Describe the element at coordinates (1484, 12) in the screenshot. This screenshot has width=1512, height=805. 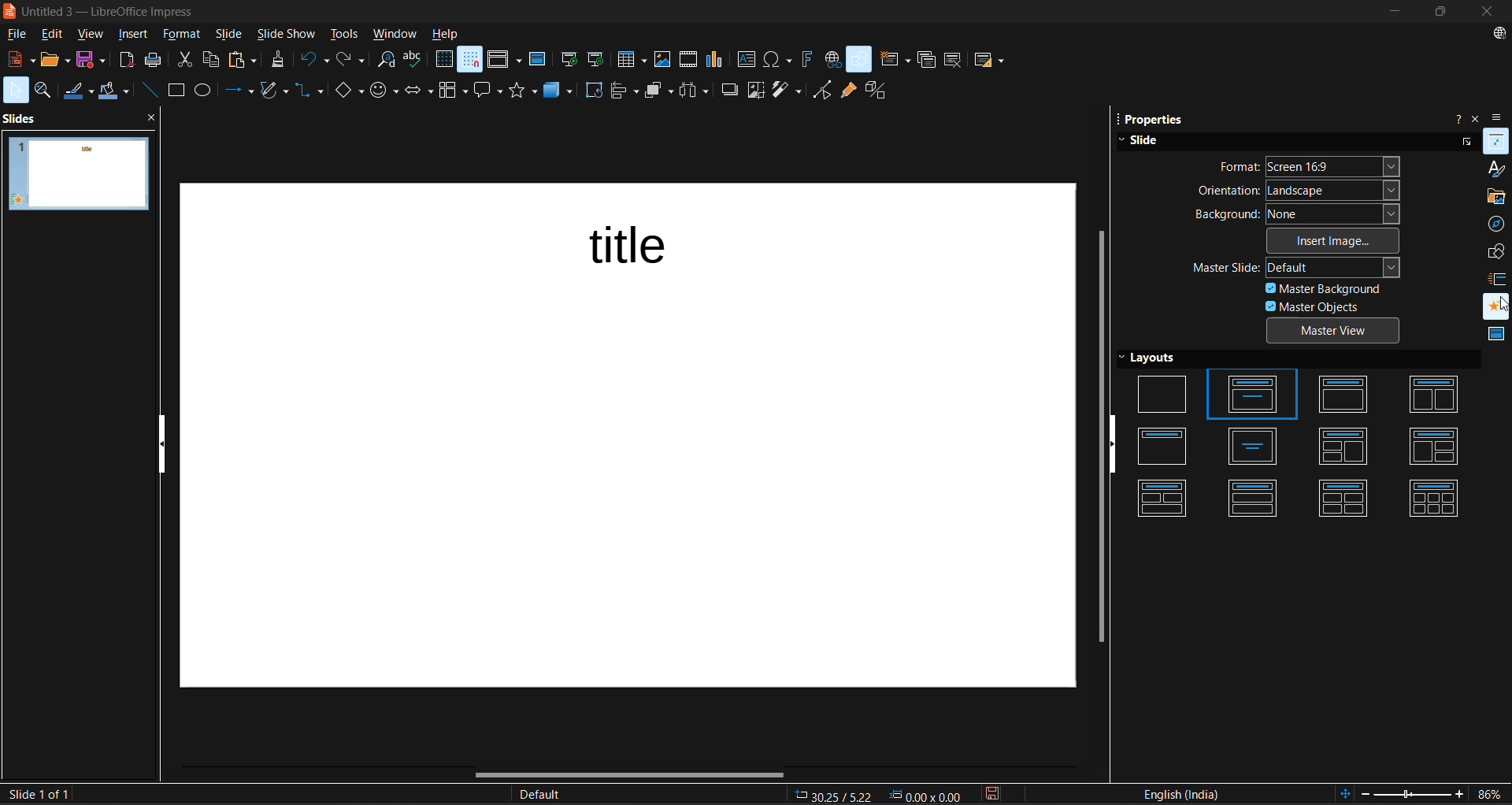
I see `close` at that location.